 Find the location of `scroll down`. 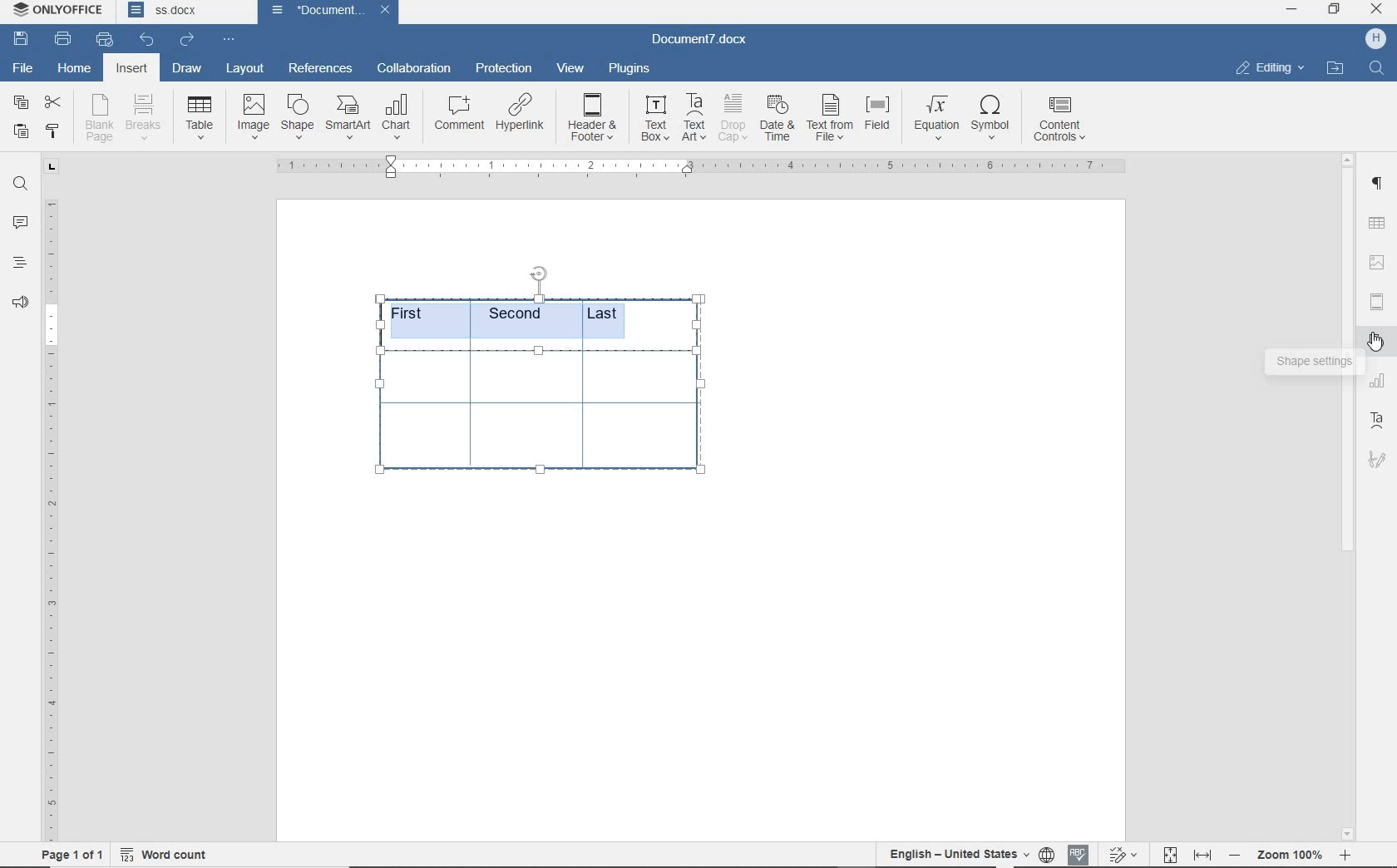

scroll down is located at coordinates (1349, 831).